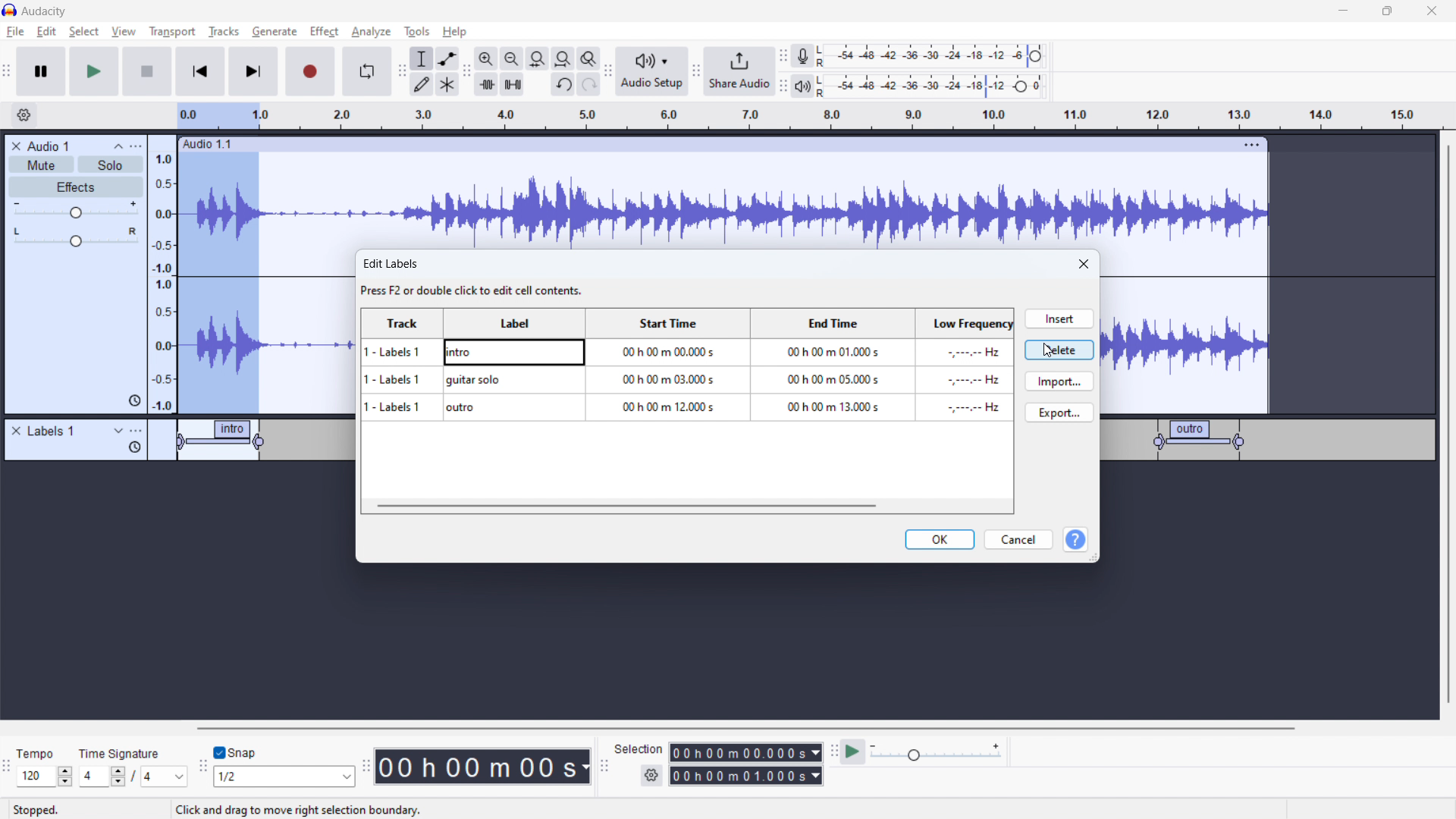 This screenshot has height=819, width=1456. Describe the element at coordinates (1387, 11) in the screenshot. I see `maximize` at that location.